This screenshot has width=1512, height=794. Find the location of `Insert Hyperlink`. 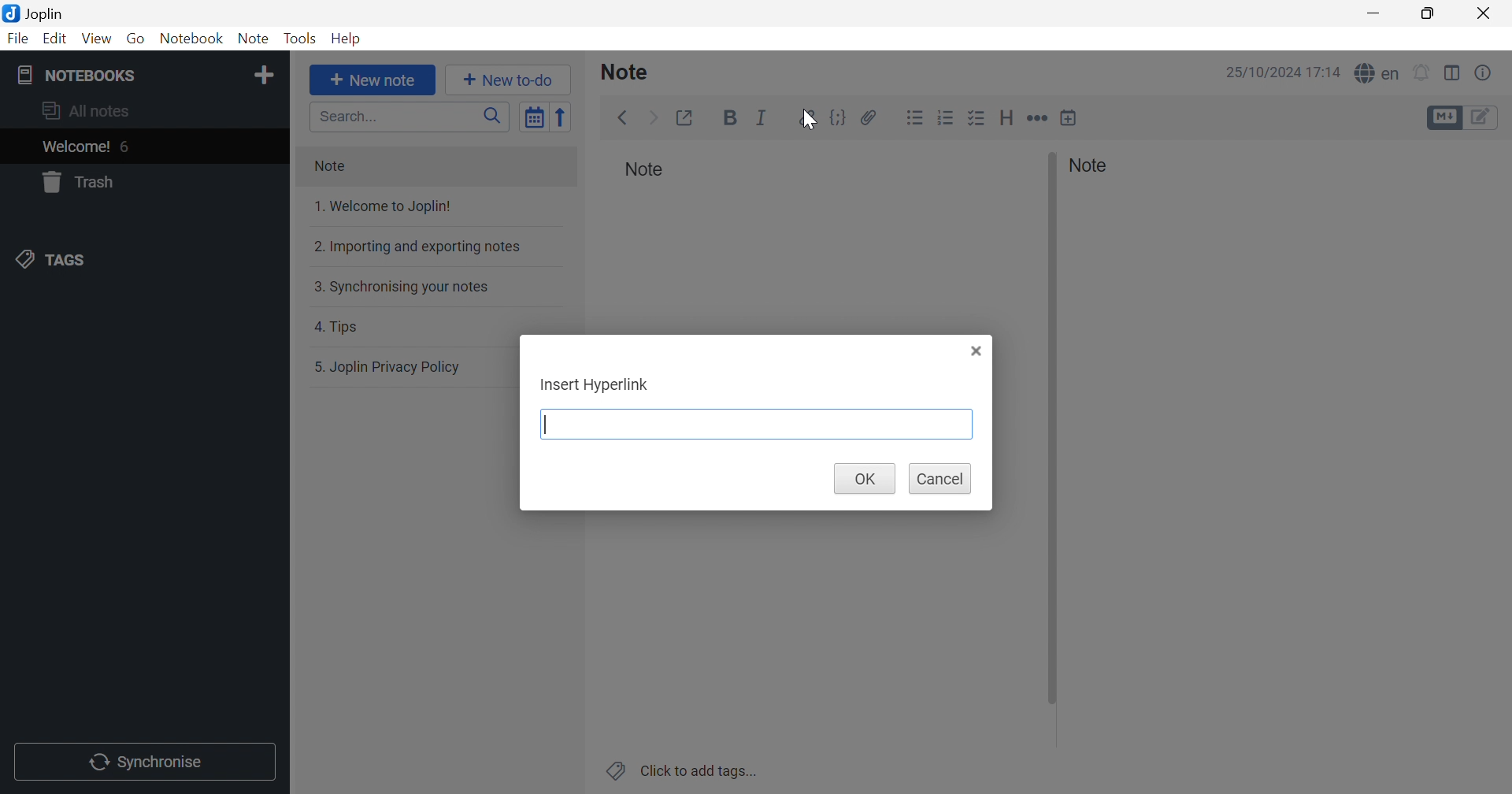

Insert Hyperlink is located at coordinates (597, 387).